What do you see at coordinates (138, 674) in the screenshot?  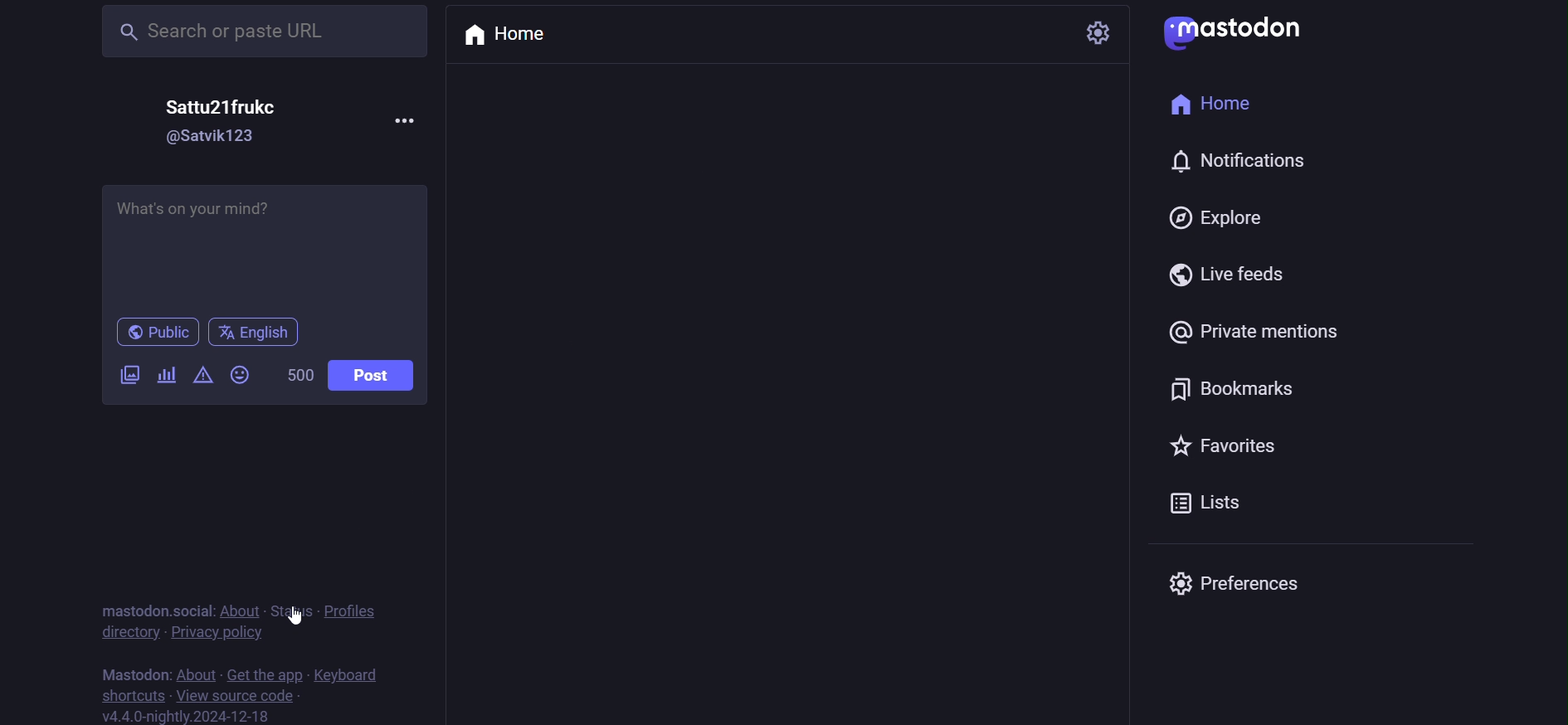 I see `mastodon` at bounding box center [138, 674].